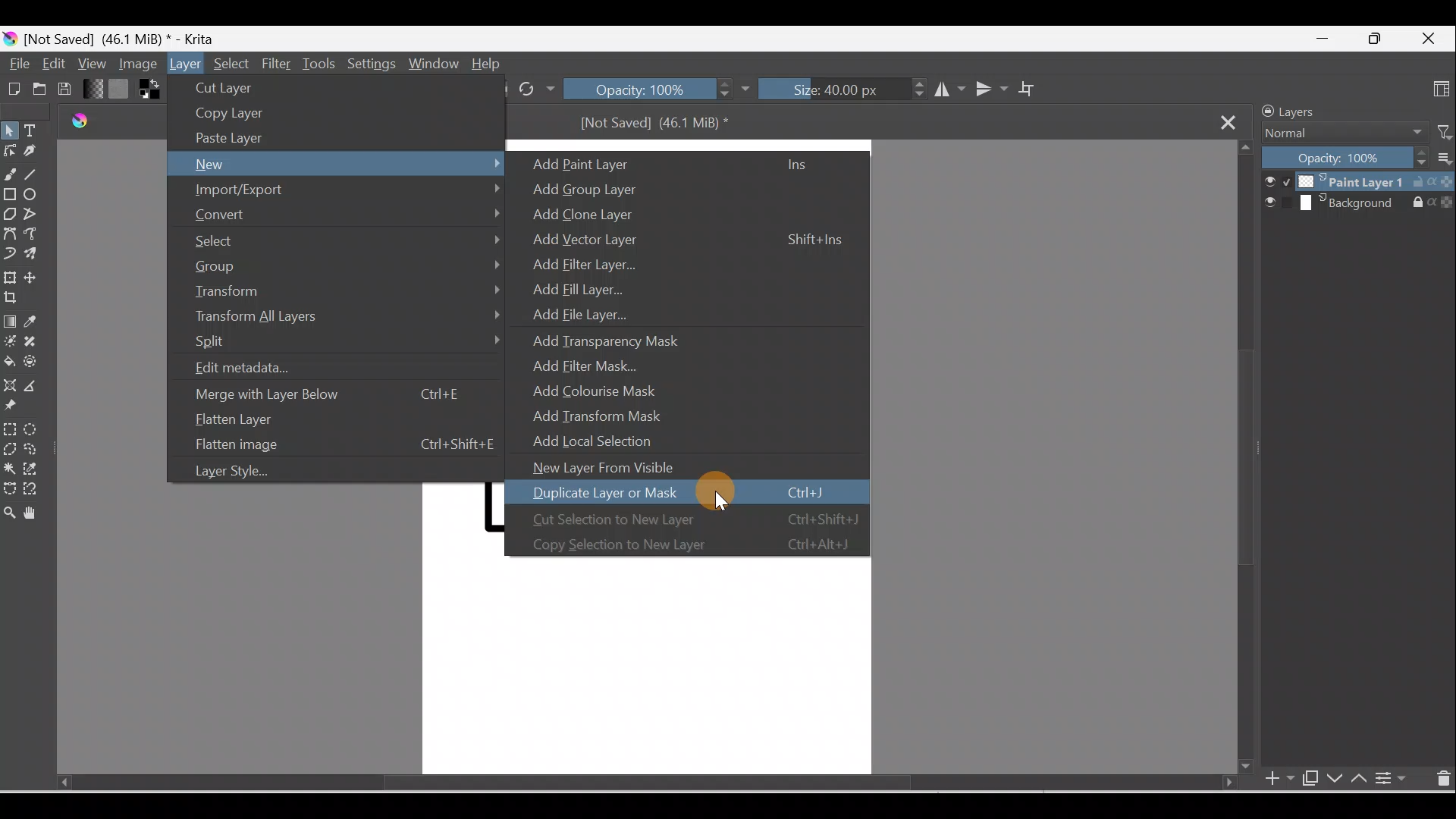 The height and width of the screenshot is (819, 1456). Describe the element at coordinates (574, 287) in the screenshot. I see `Add fill layer` at that location.